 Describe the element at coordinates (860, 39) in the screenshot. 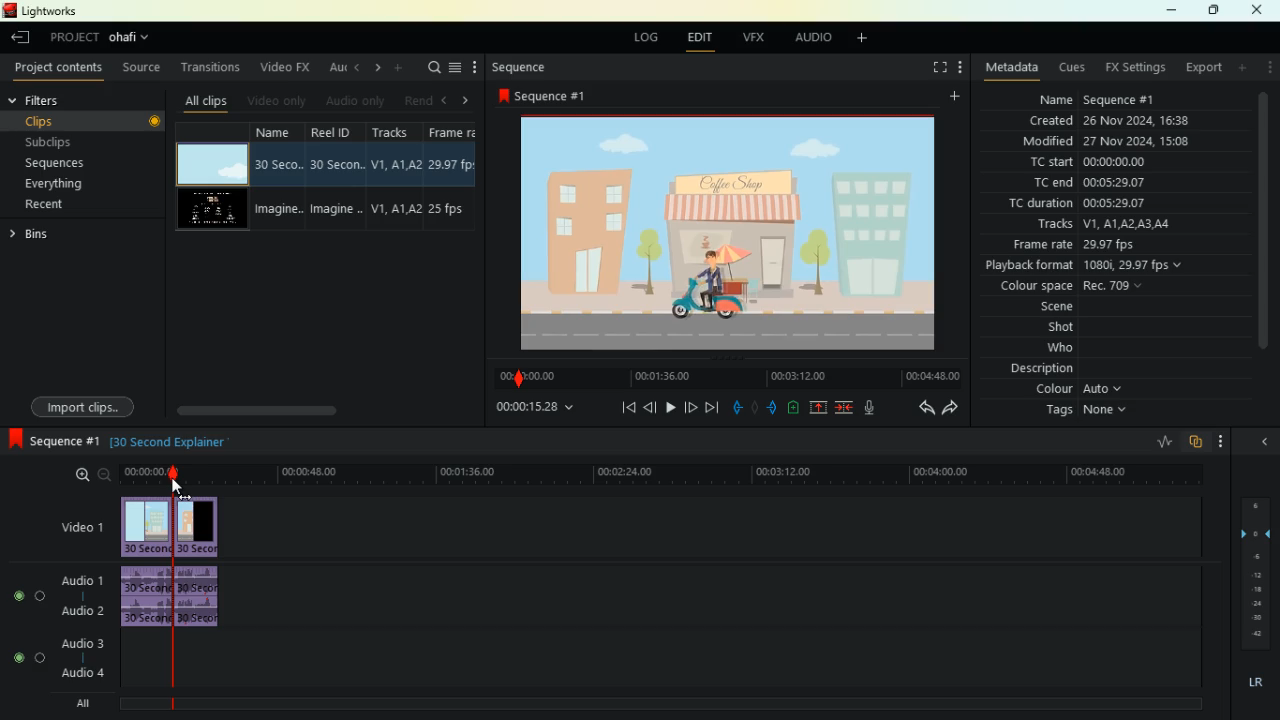

I see `add` at that location.